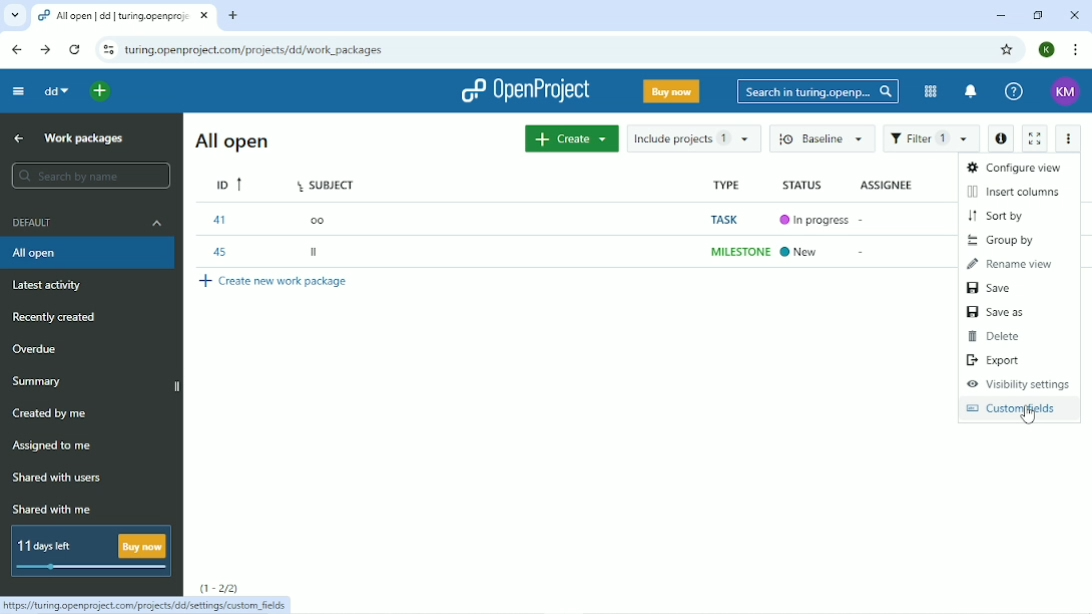 This screenshot has width=1092, height=614. What do you see at coordinates (971, 92) in the screenshot?
I see `To notification center` at bounding box center [971, 92].